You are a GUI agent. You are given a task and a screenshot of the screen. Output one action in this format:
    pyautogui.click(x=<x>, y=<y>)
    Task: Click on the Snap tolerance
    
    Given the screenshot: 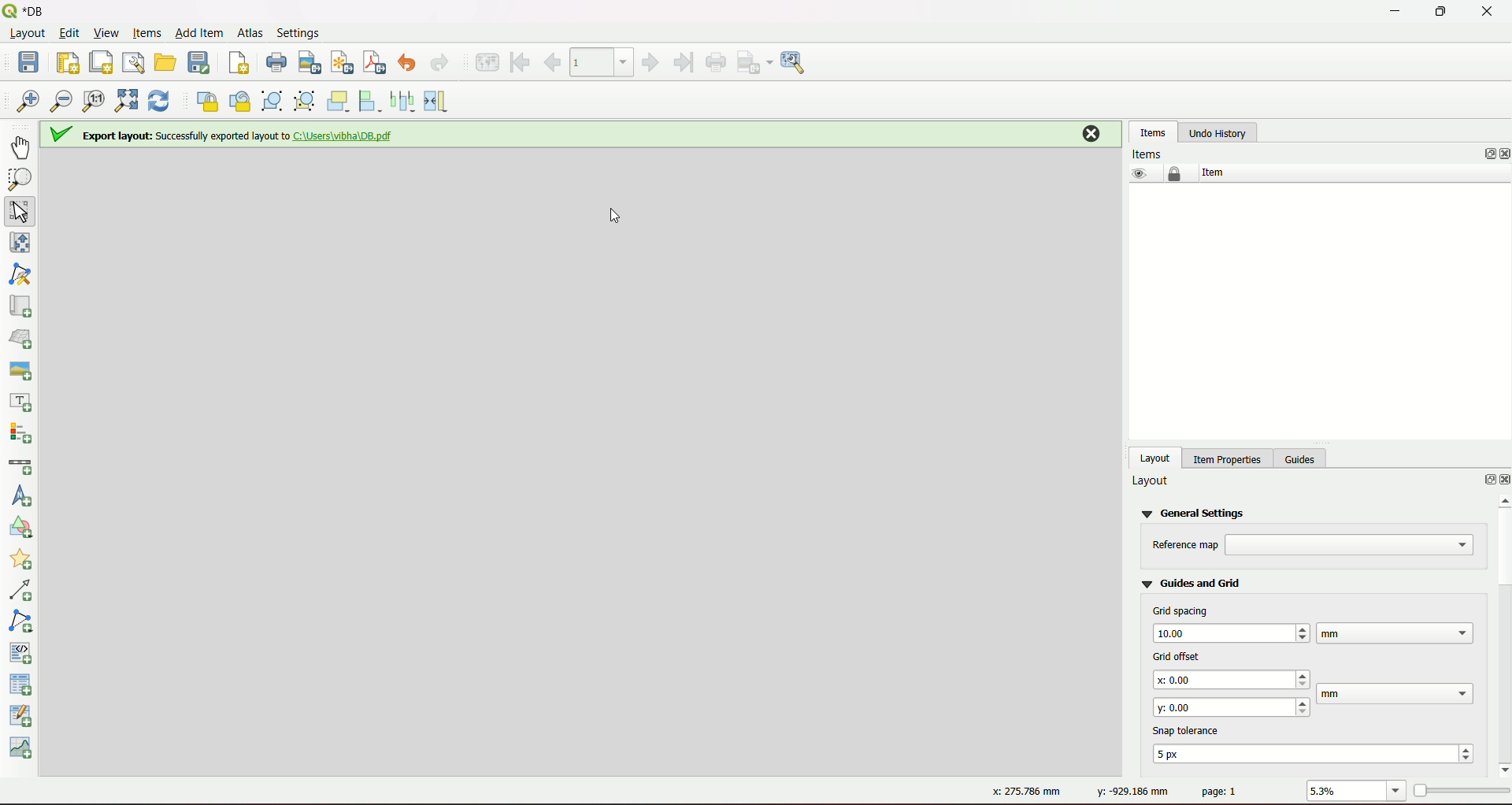 What is the action you would take?
    pyautogui.click(x=1190, y=729)
    